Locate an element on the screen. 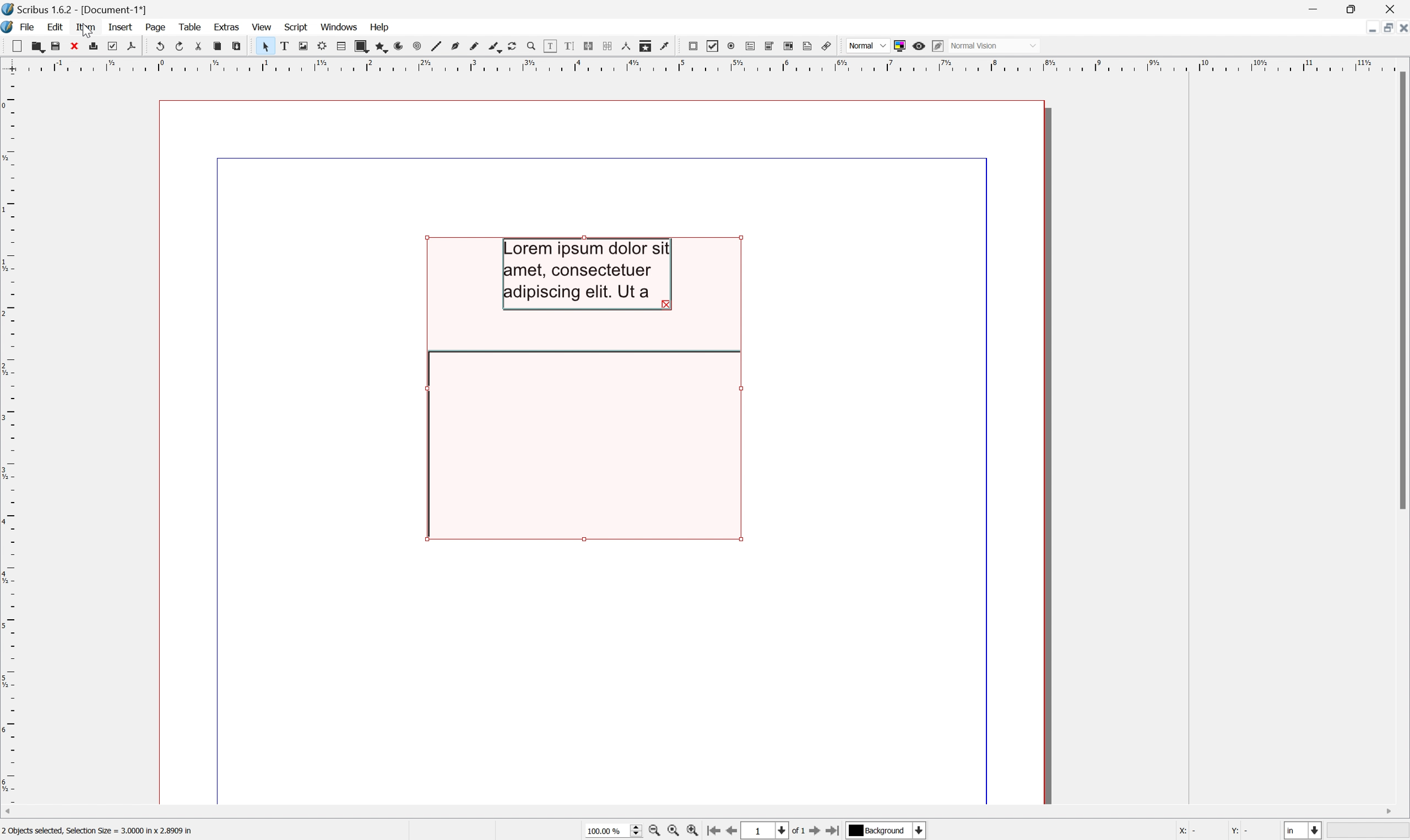 This screenshot has height=840, width=1410. Table is located at coordinates (341, 45).